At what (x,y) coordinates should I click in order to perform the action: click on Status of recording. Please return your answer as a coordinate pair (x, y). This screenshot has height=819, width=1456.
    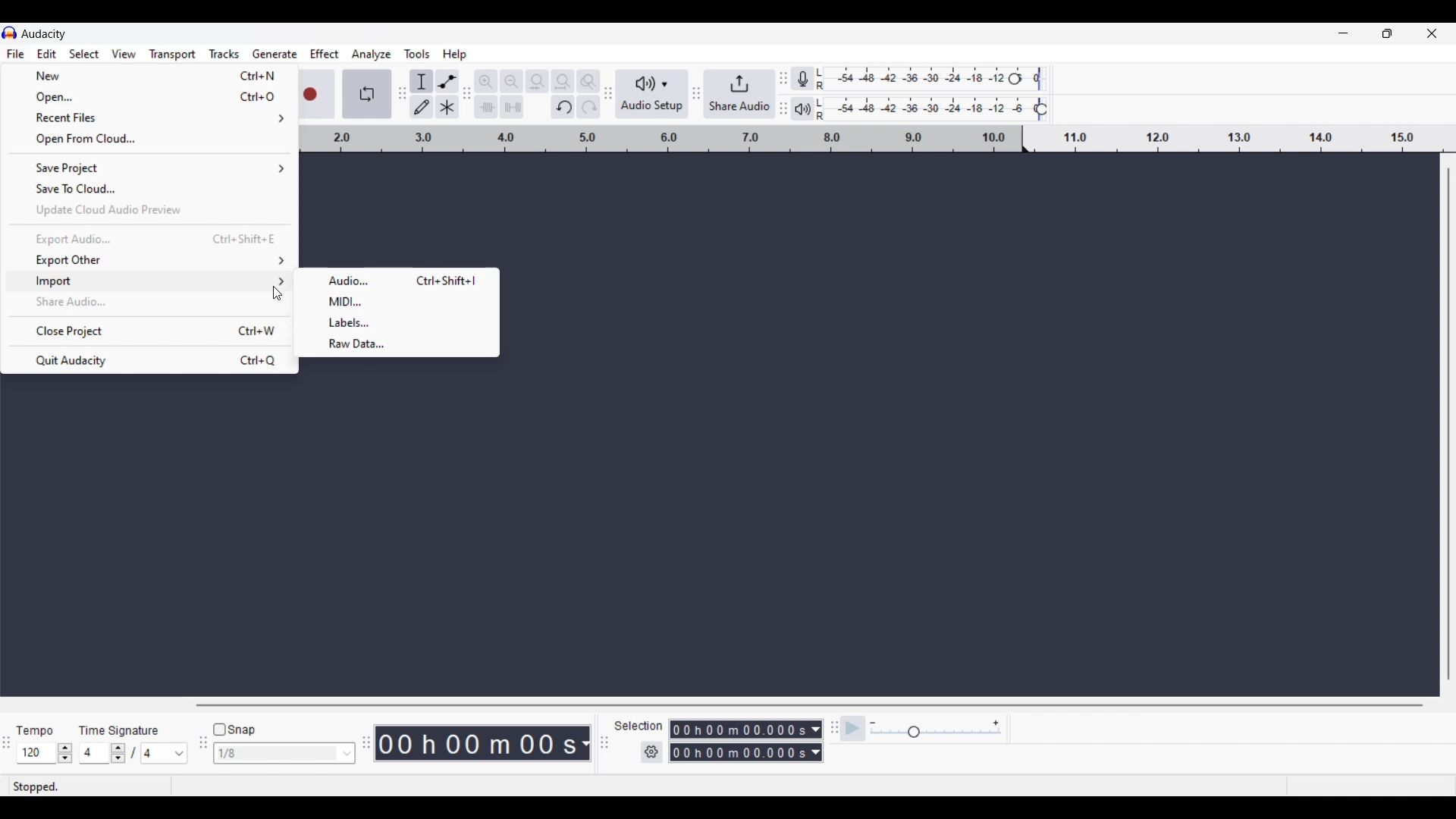
    Looking at the image, I should click on (71, 786).